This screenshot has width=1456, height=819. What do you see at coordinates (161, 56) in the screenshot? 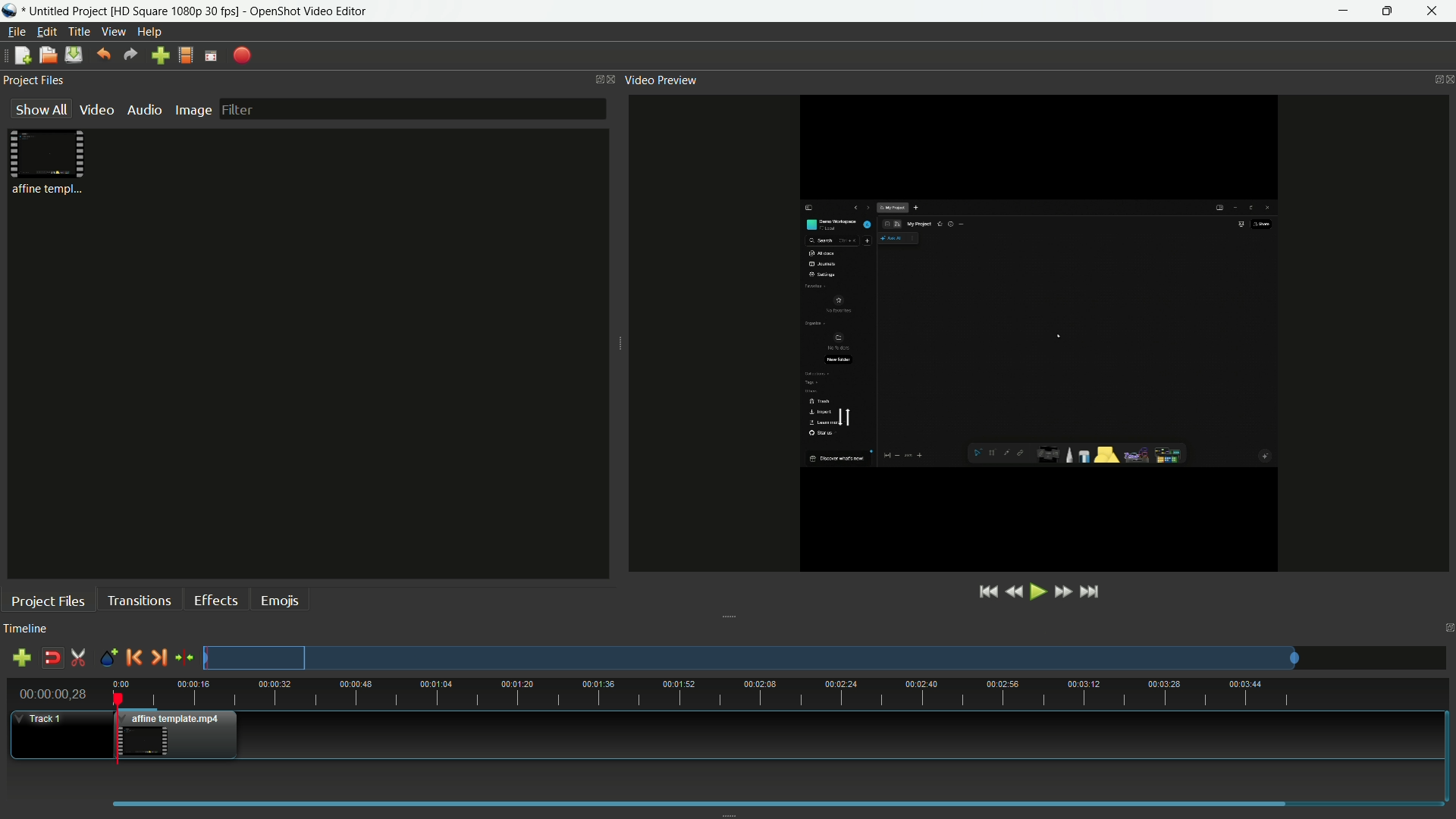
I see `import file` at bounding box center [161, 56].